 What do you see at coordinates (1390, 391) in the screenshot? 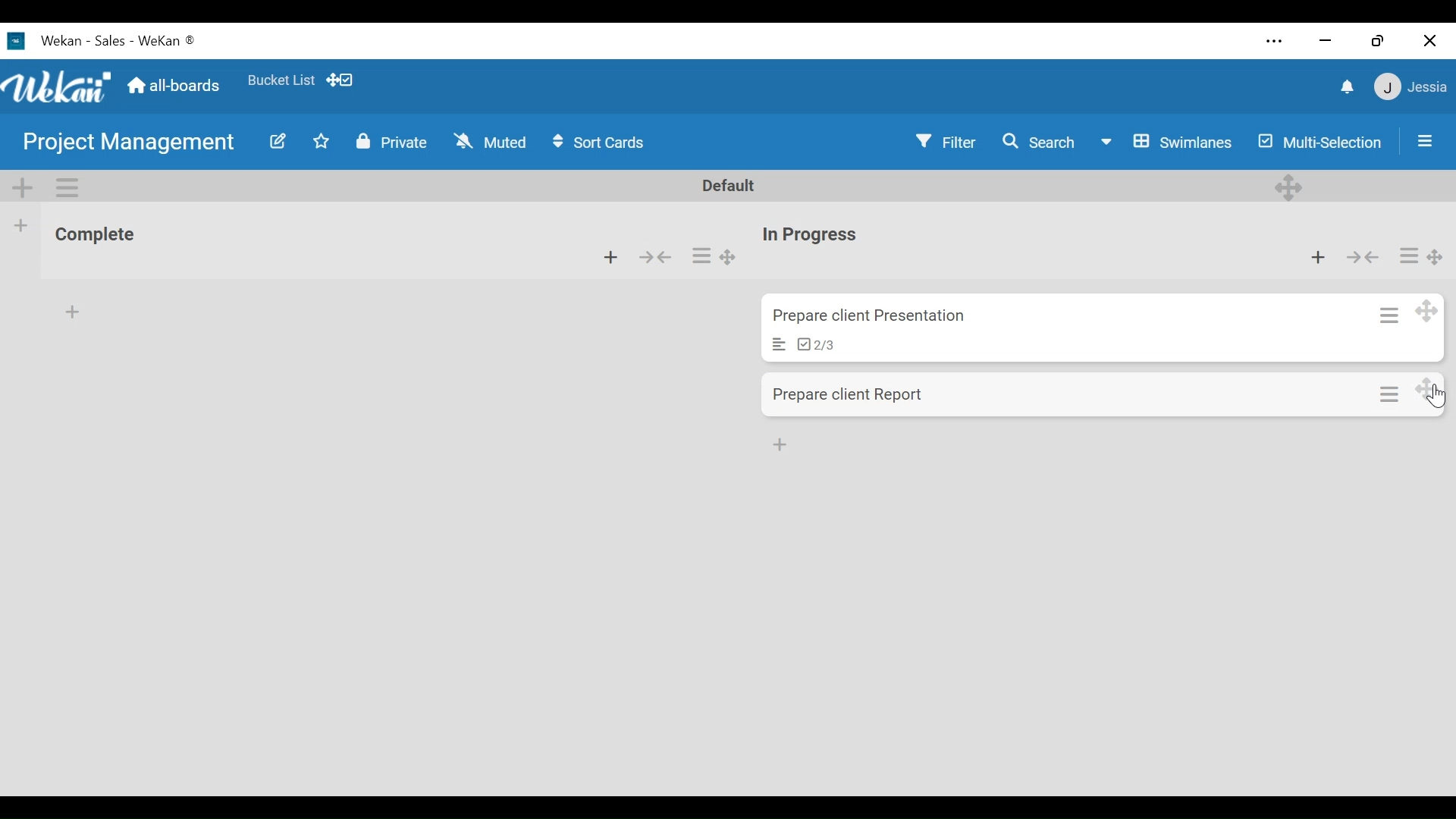
I see `Card actions` at bounding box center [1390, 391].